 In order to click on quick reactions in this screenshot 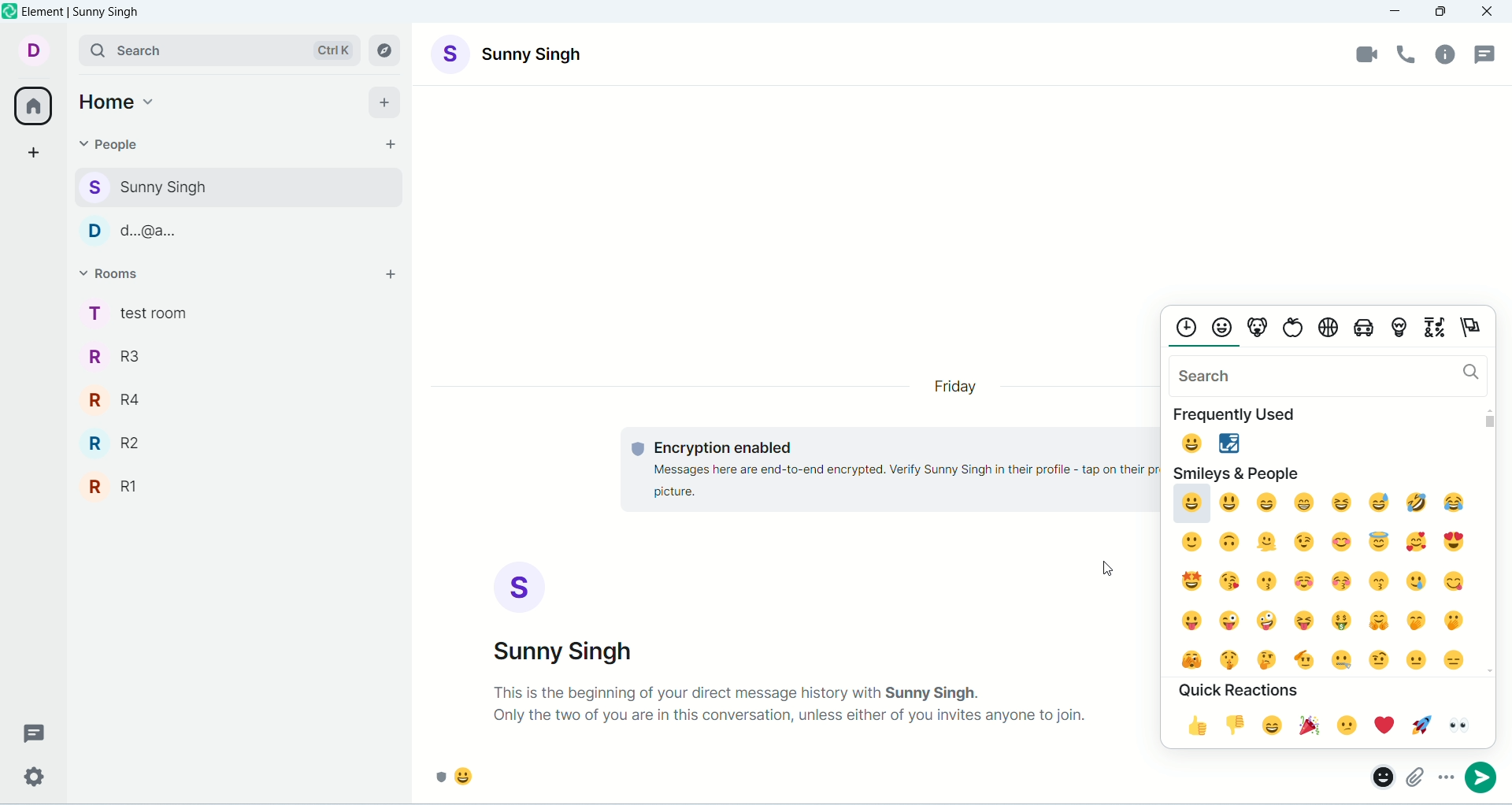, I will do `click(1240, 689)`.